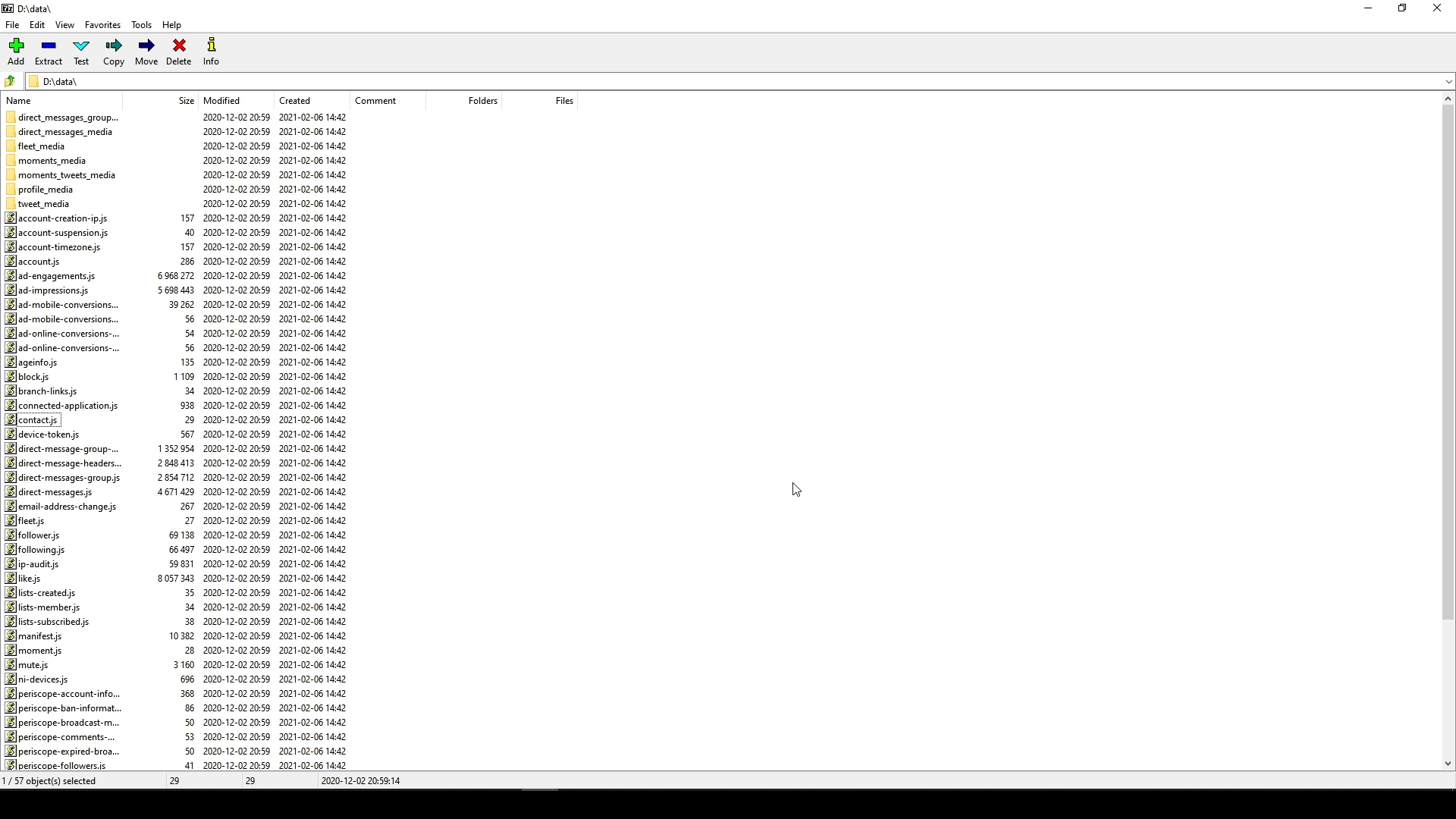 The width and height of the screenshot is (1456, 819). What do you see at coordinates (1440, 9) in the screenshot?
I see `close` at bounding box center [1440, 9].